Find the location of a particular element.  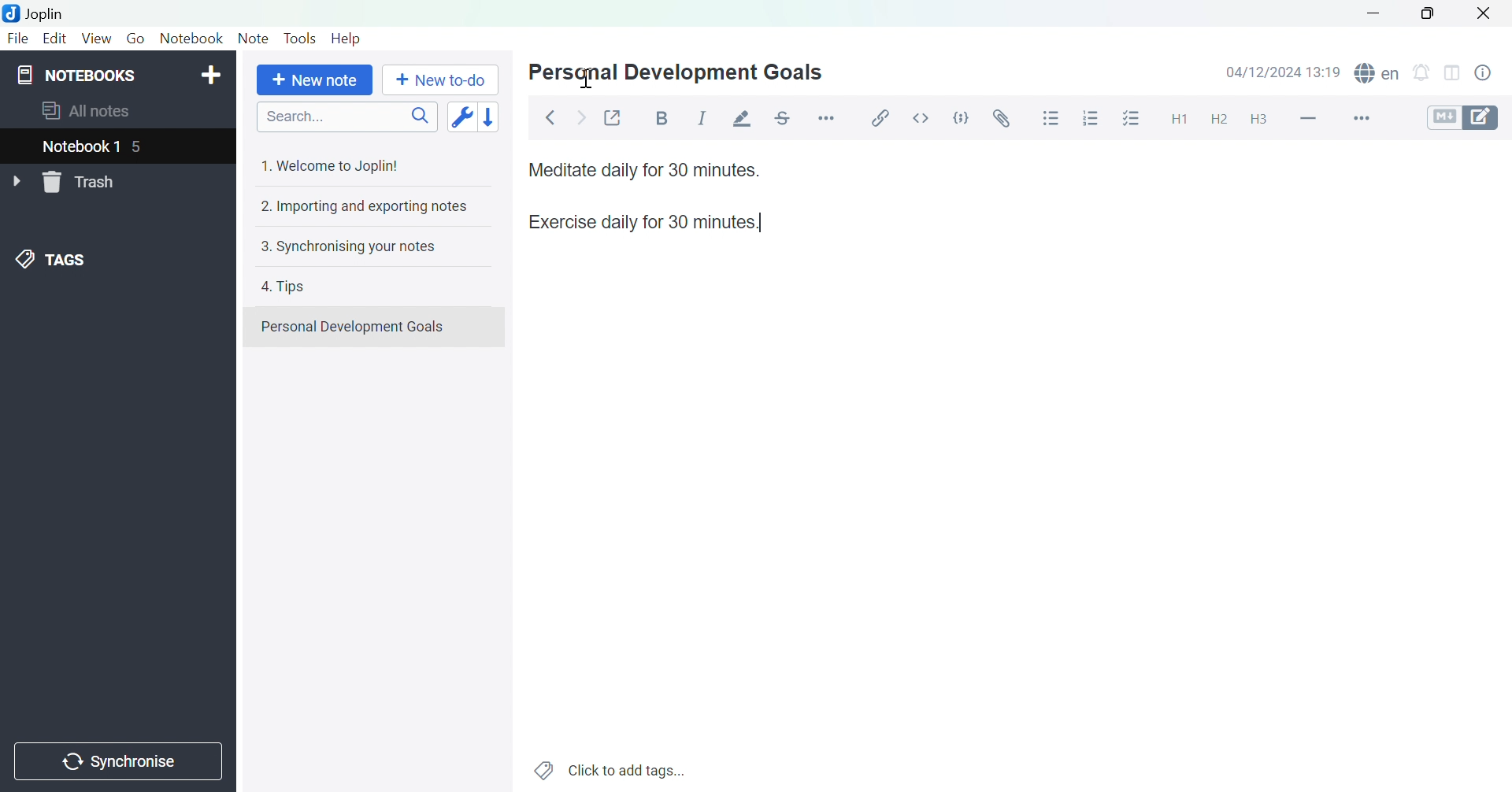

Checkbox list is located at coordinates (1128, 120).